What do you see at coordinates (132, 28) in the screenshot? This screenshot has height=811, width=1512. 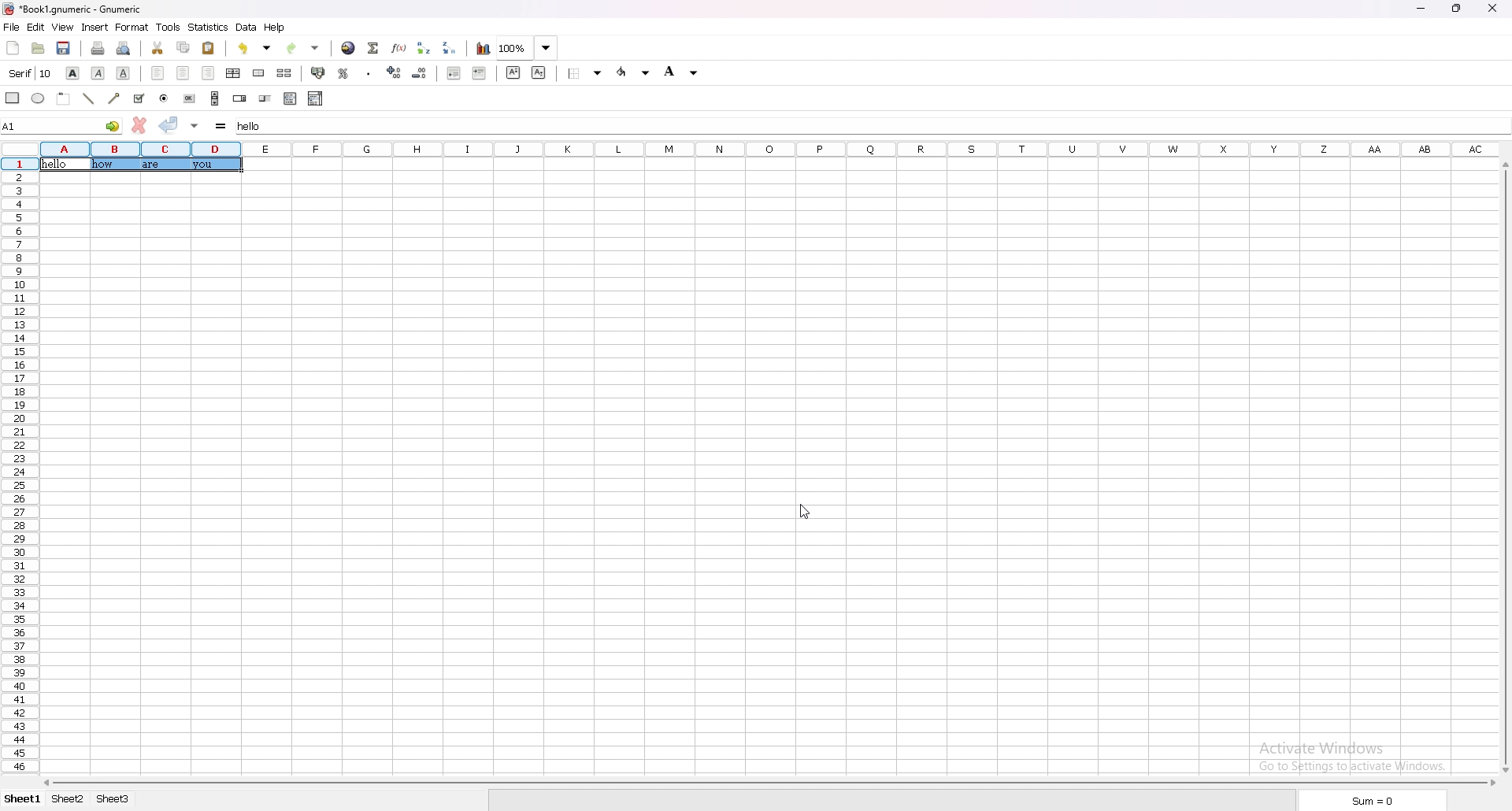 I see `format` at bounding box center [132, 28].